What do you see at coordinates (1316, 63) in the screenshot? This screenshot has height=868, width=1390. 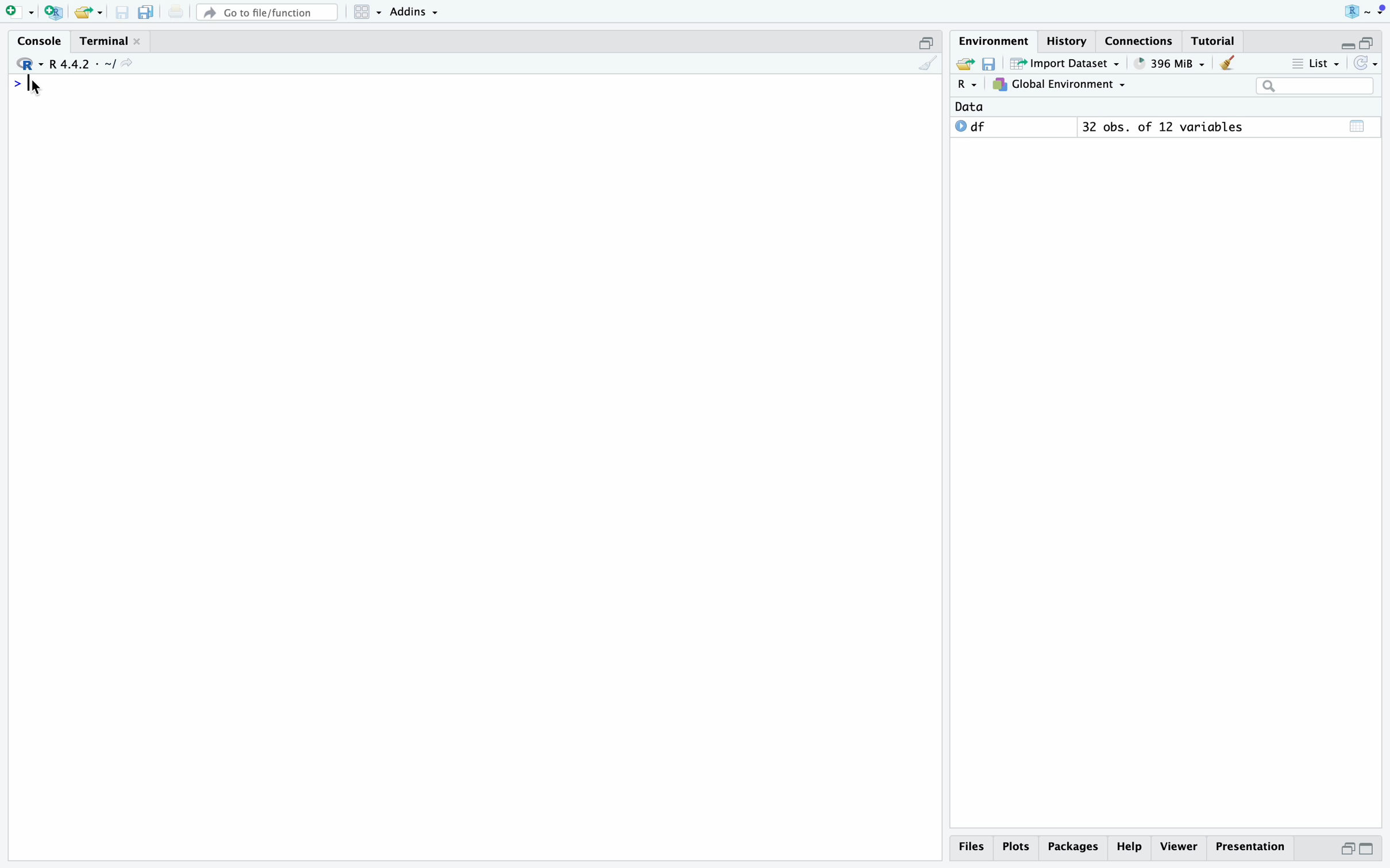 I see `list` at bounding box center [1316, 63].